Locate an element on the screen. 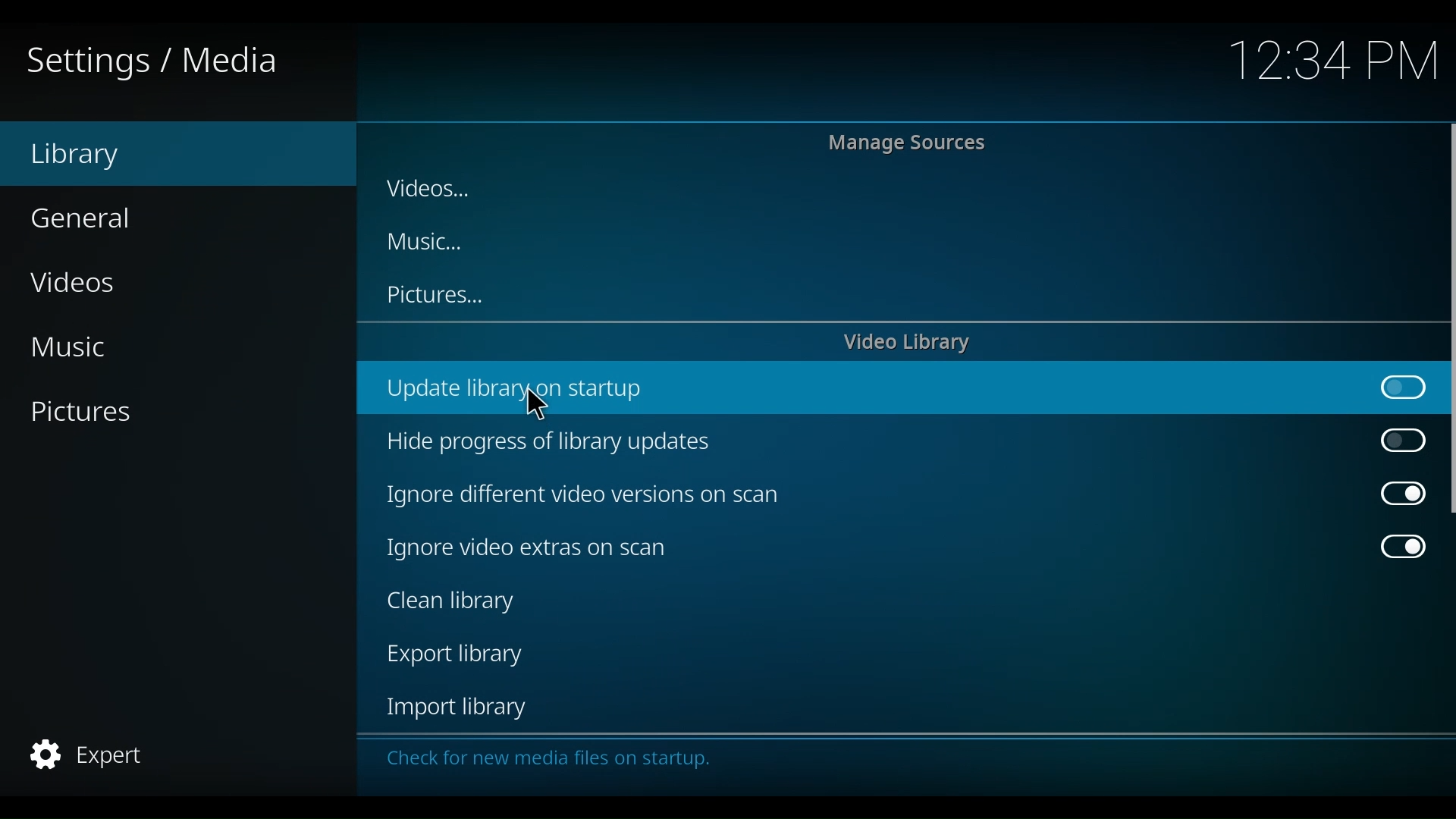 Image resolution: width=1456 pixels, height=819 pixels. Toggle on/off Ignore different video versions on scan is located at coordinates (1401, 495).